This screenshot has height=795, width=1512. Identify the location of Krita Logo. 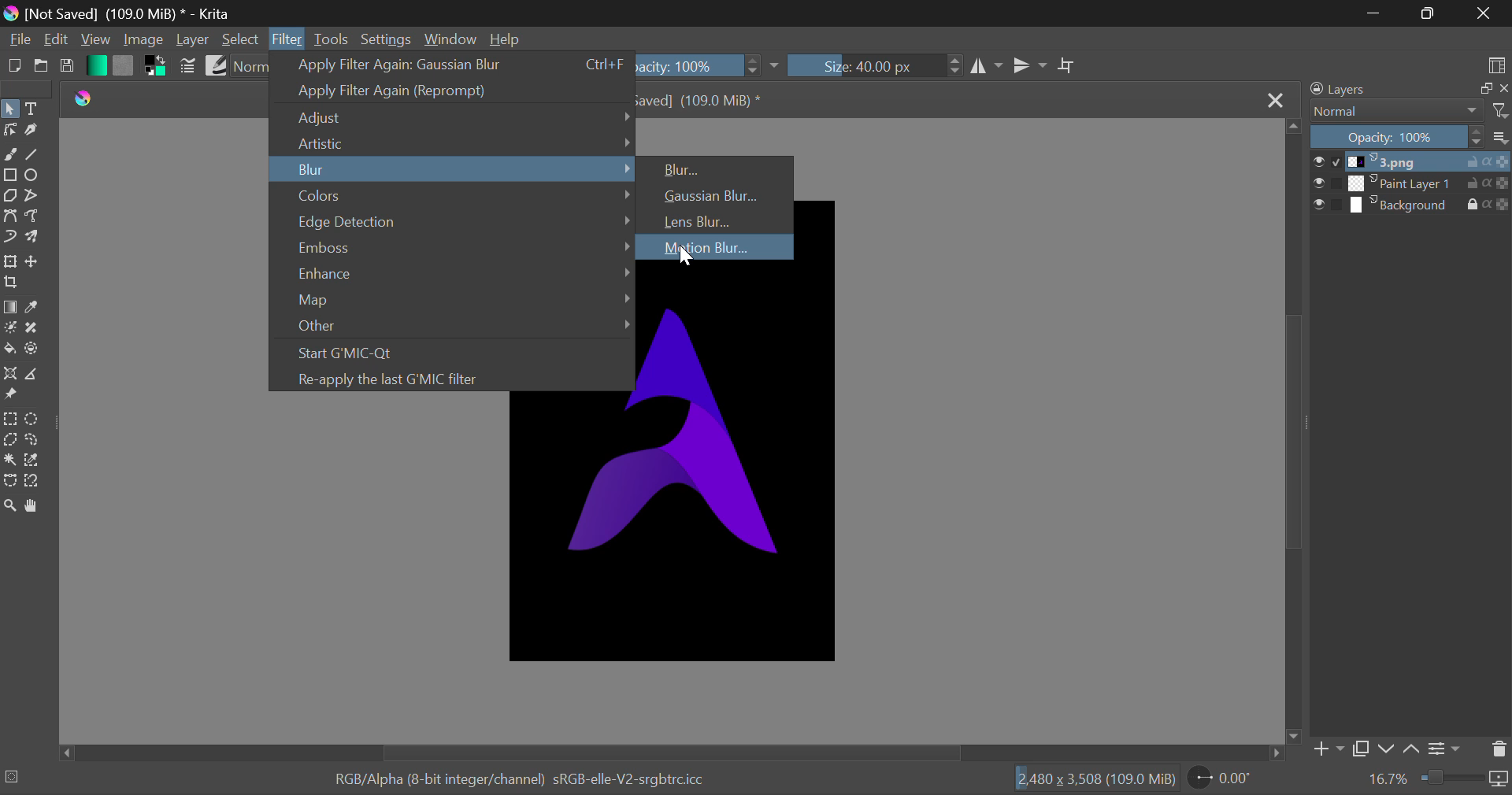
(87, 100).